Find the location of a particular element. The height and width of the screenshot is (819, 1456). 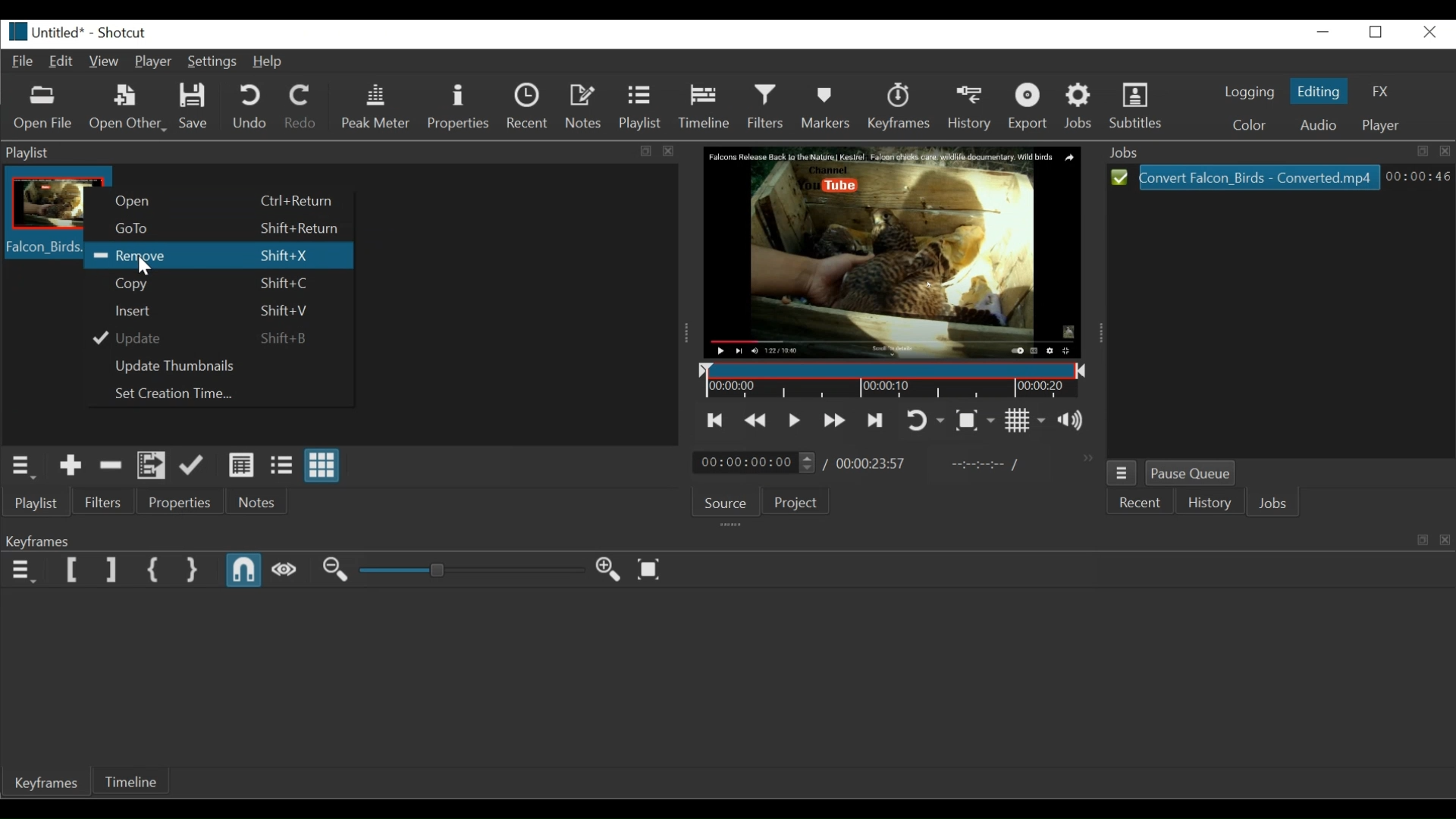

Playlist menu is located at coordinates (28, 466).